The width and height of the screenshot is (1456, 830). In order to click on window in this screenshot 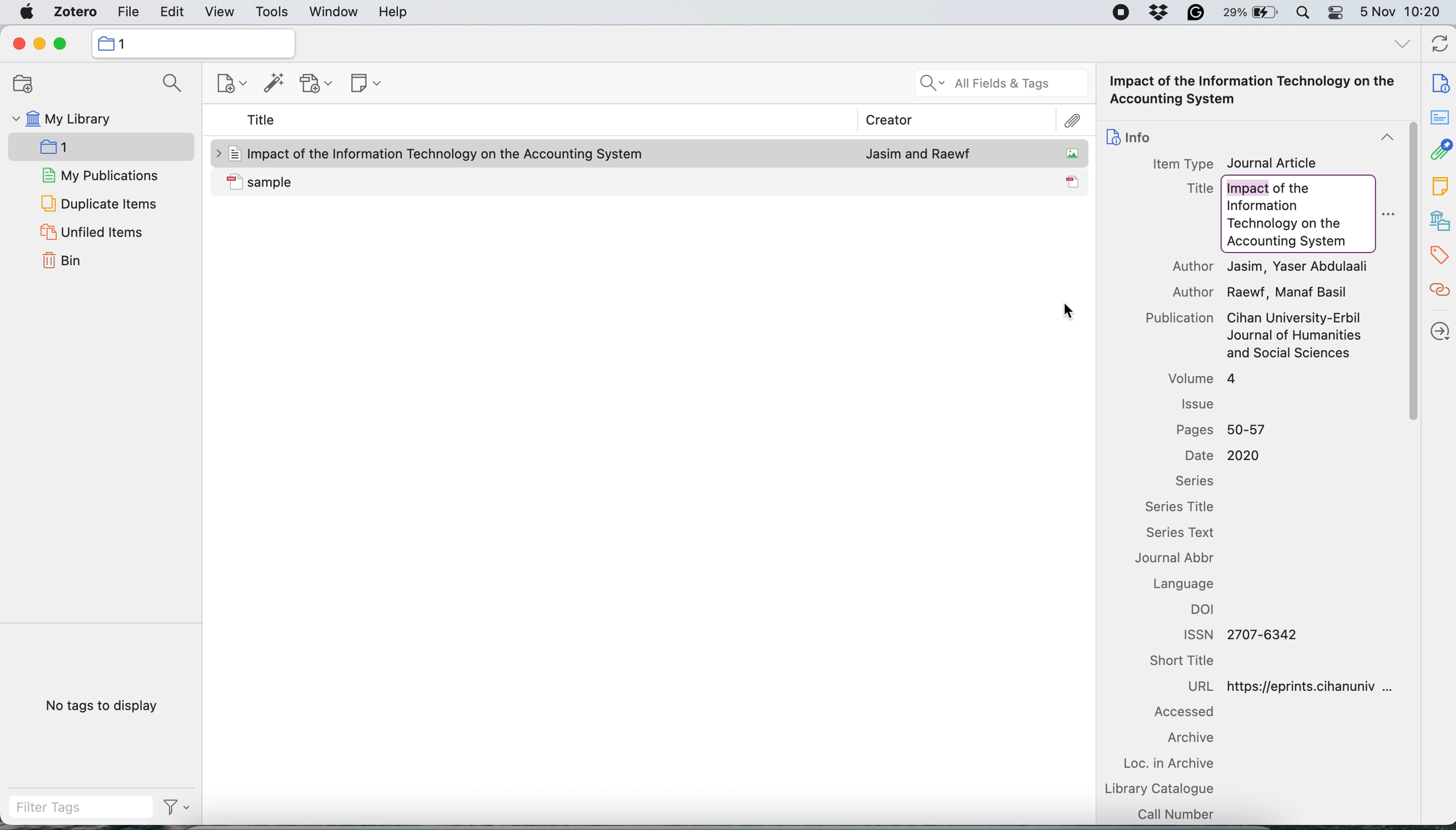, I will do `click(334, 12)`.